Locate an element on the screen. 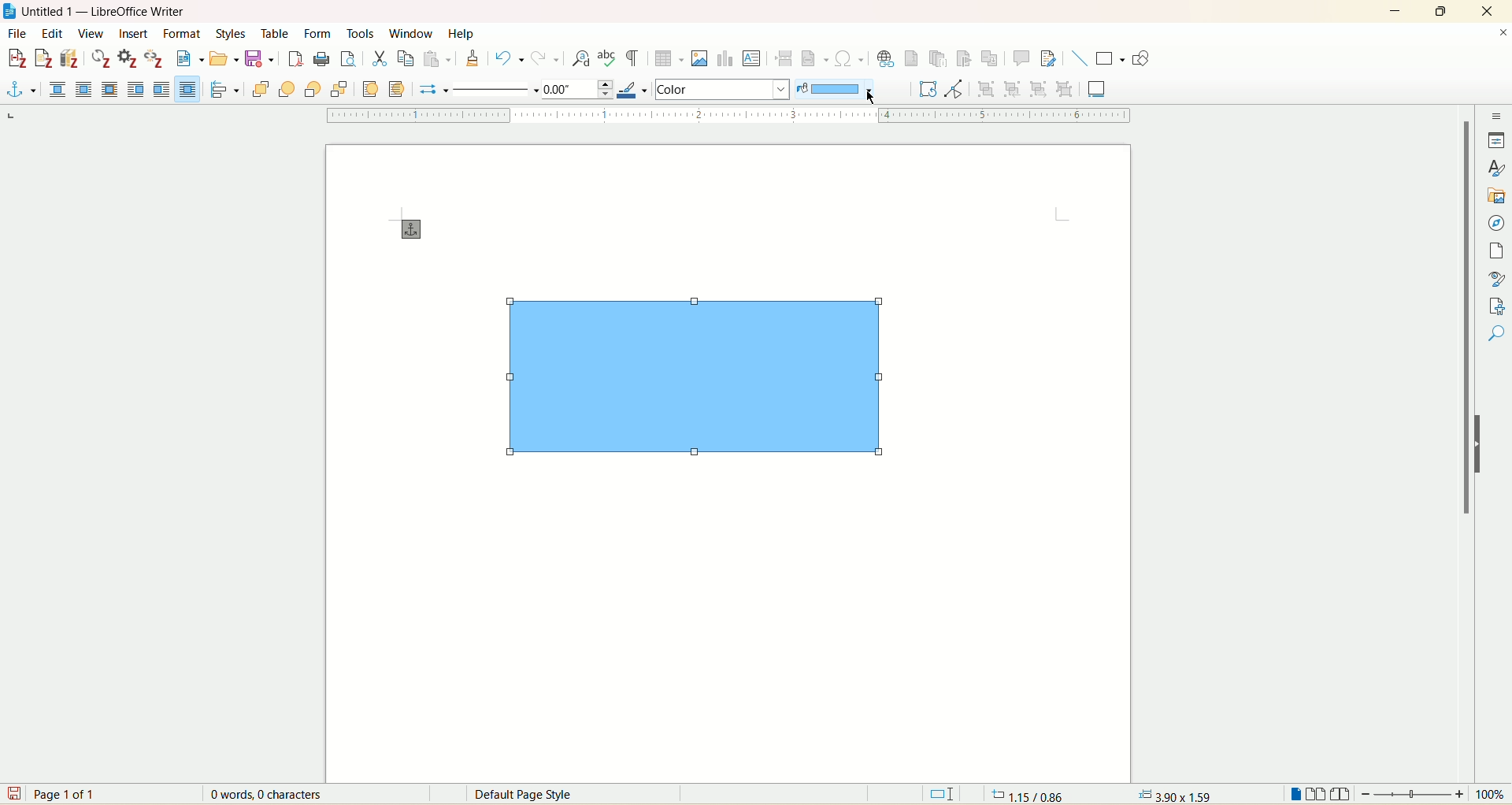  insert footnote is located at coordinates (911, 59).